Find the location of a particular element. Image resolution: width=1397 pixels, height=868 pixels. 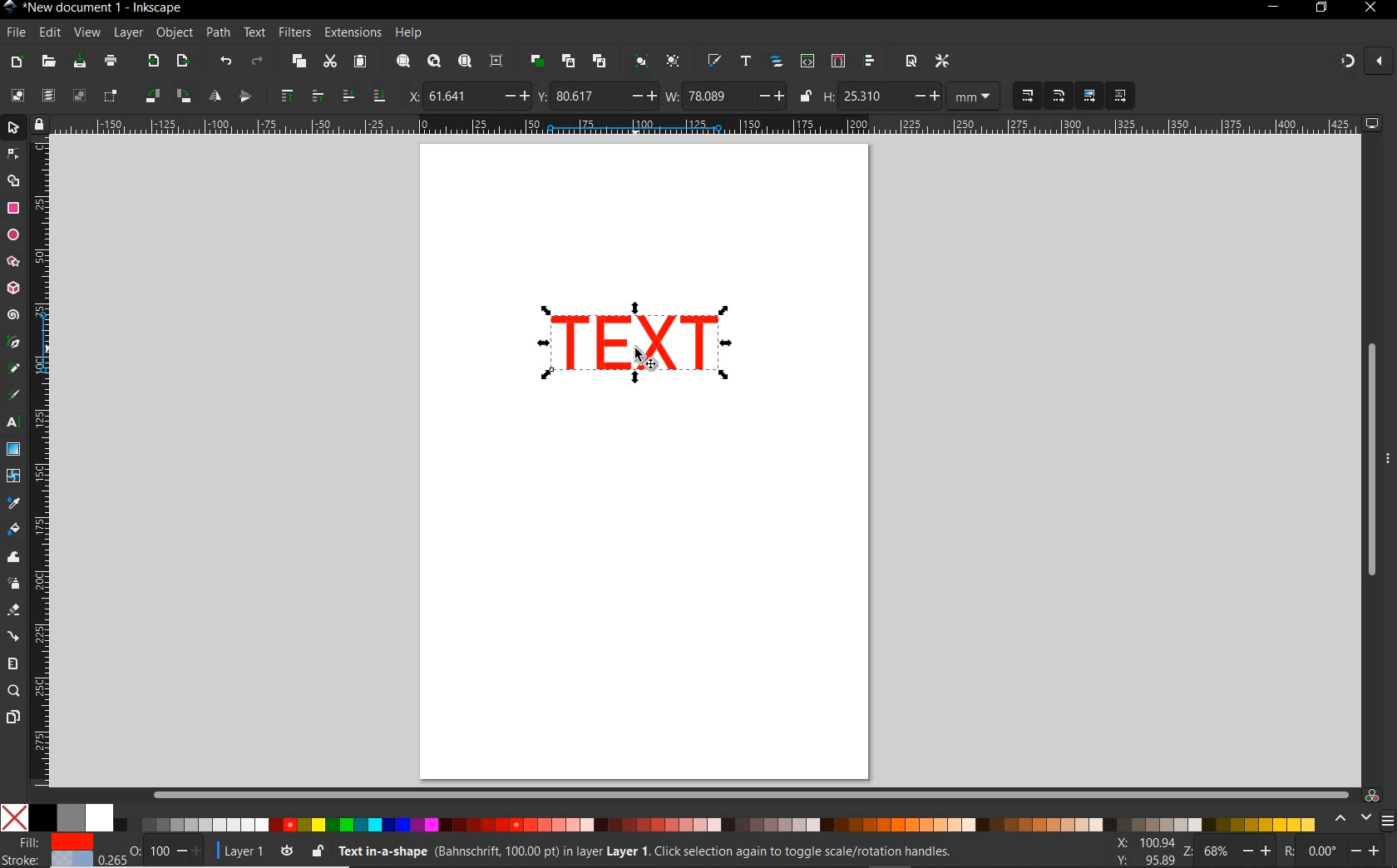

horizontal coordinate of selection is located at coordinates (466, 95).